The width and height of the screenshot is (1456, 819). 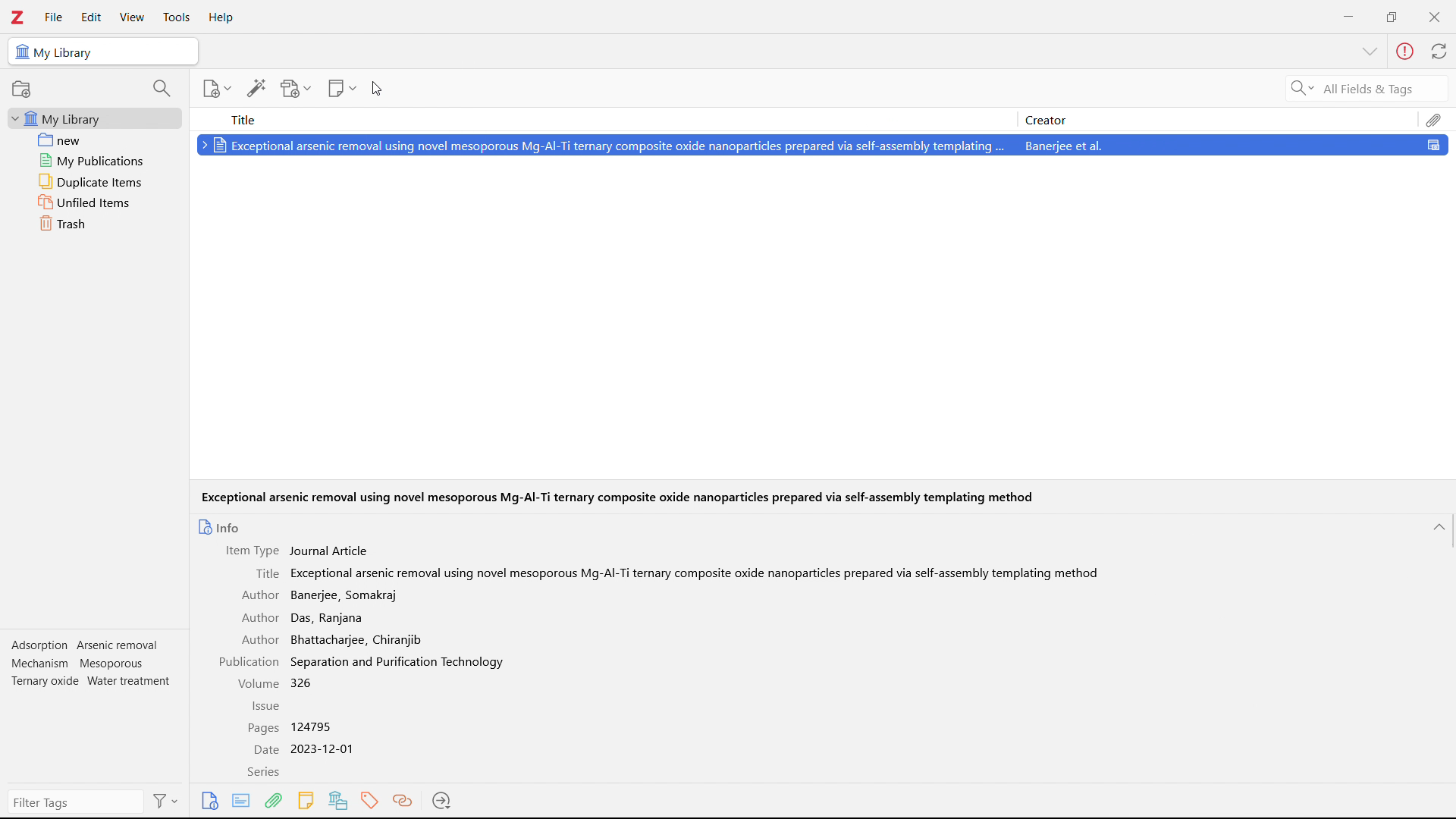 What do you see at coordinates (262, 728) in the screenshot?
I see `Pages` at bounding box center [262, 728].